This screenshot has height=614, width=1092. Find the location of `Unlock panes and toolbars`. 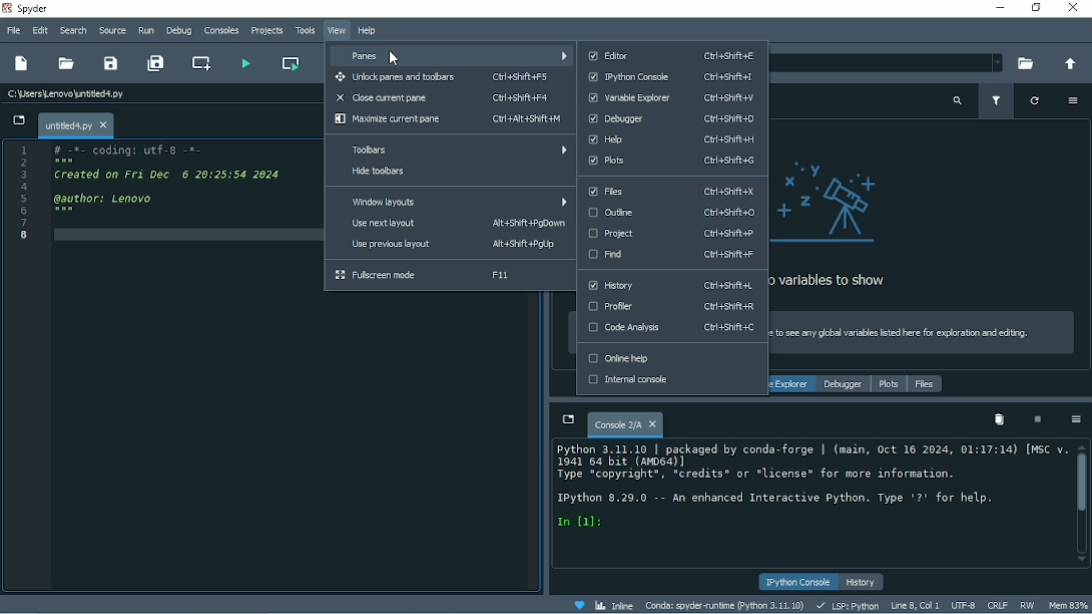

Unlock panes and toolbars is located at coordinates (442, 78).